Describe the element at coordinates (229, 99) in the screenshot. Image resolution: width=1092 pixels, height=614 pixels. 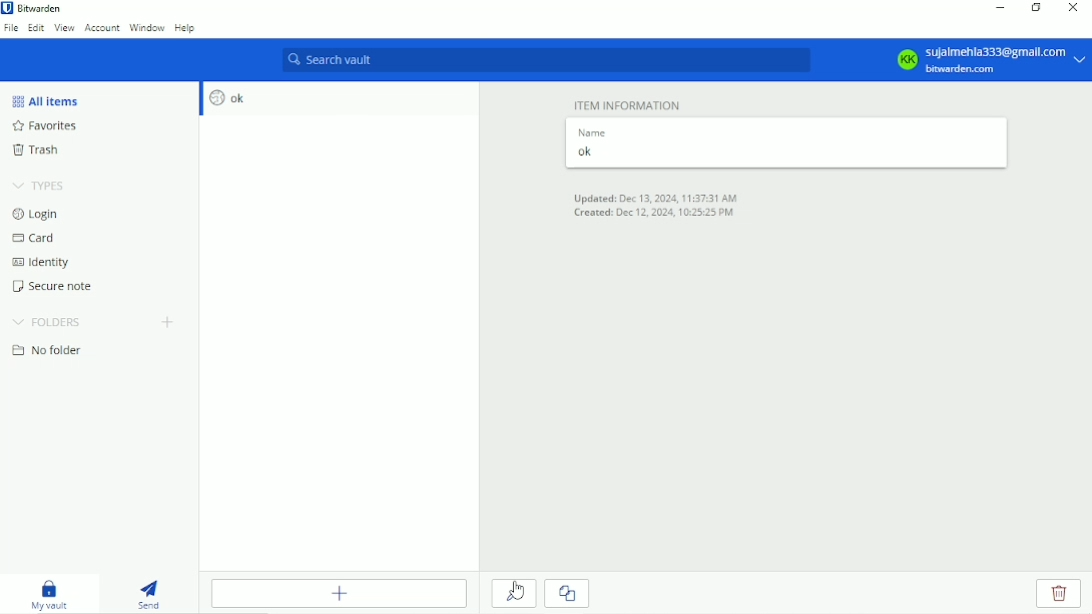
I see `ok` at that location.